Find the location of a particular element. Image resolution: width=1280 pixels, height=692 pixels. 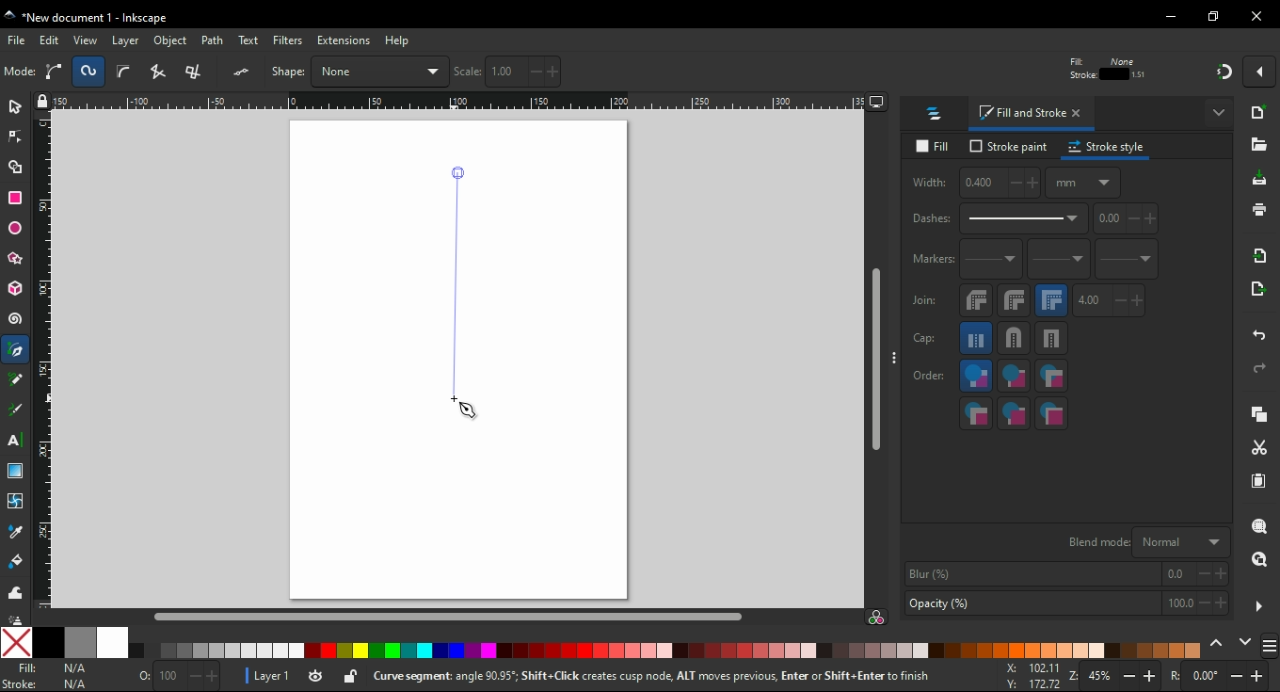

filters is located at coordinates (289, 42).